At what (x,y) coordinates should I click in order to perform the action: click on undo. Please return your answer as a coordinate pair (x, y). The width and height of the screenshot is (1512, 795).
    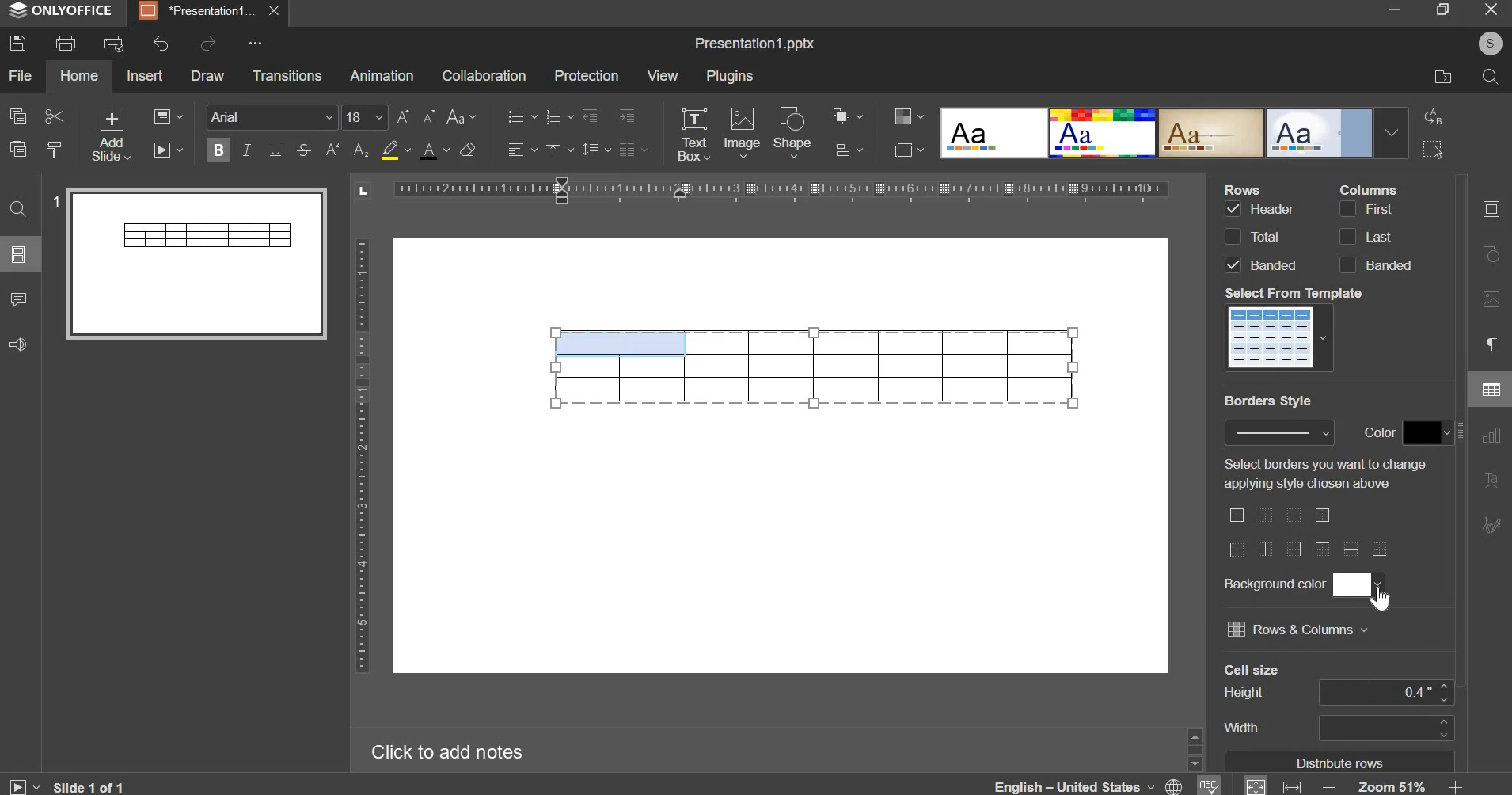
    Looking at the image, I should click on (161, 44).